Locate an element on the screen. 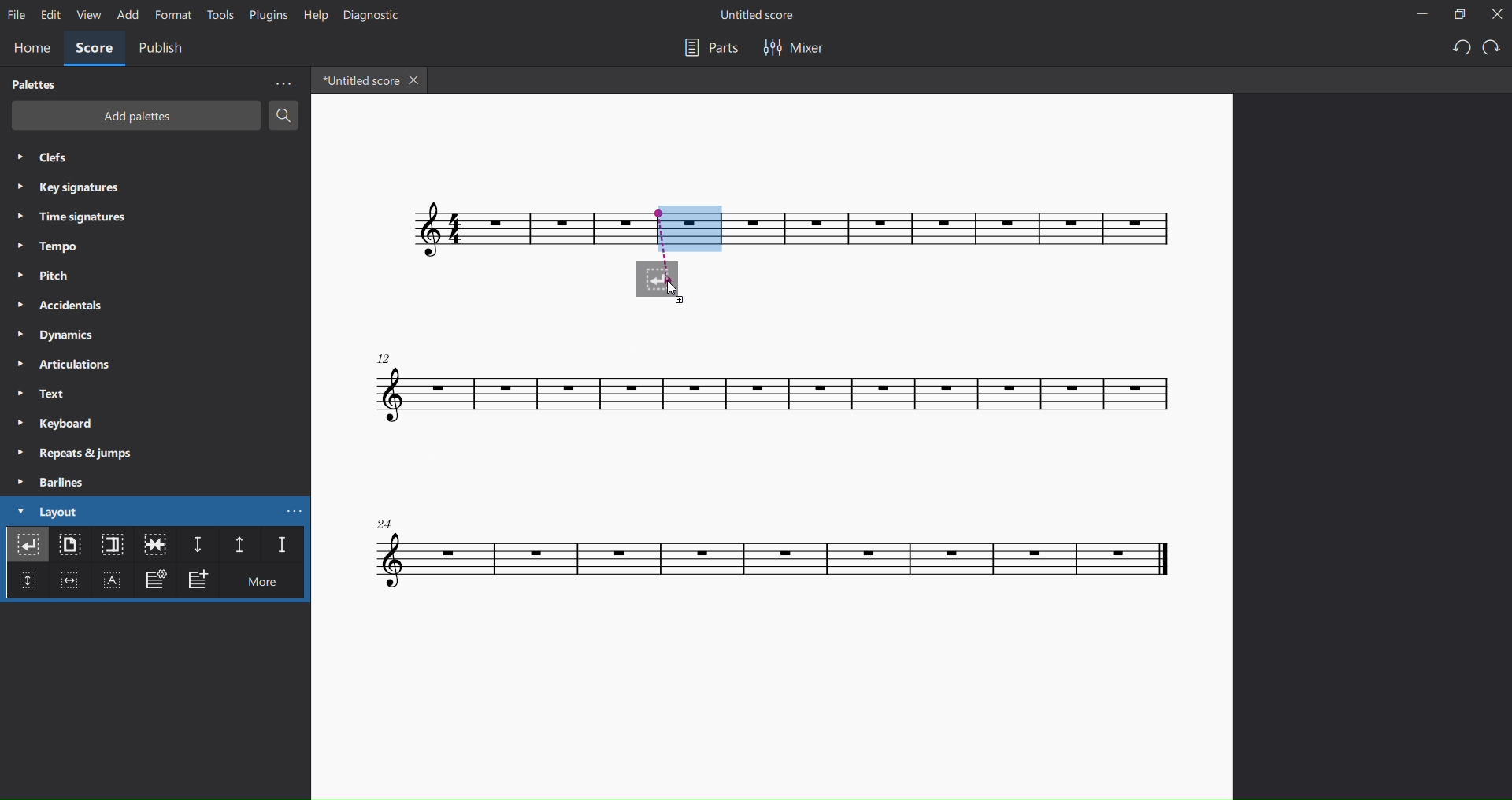 The image size is (1512, 800). insert vertical frame is located at coordinates (25, 587).